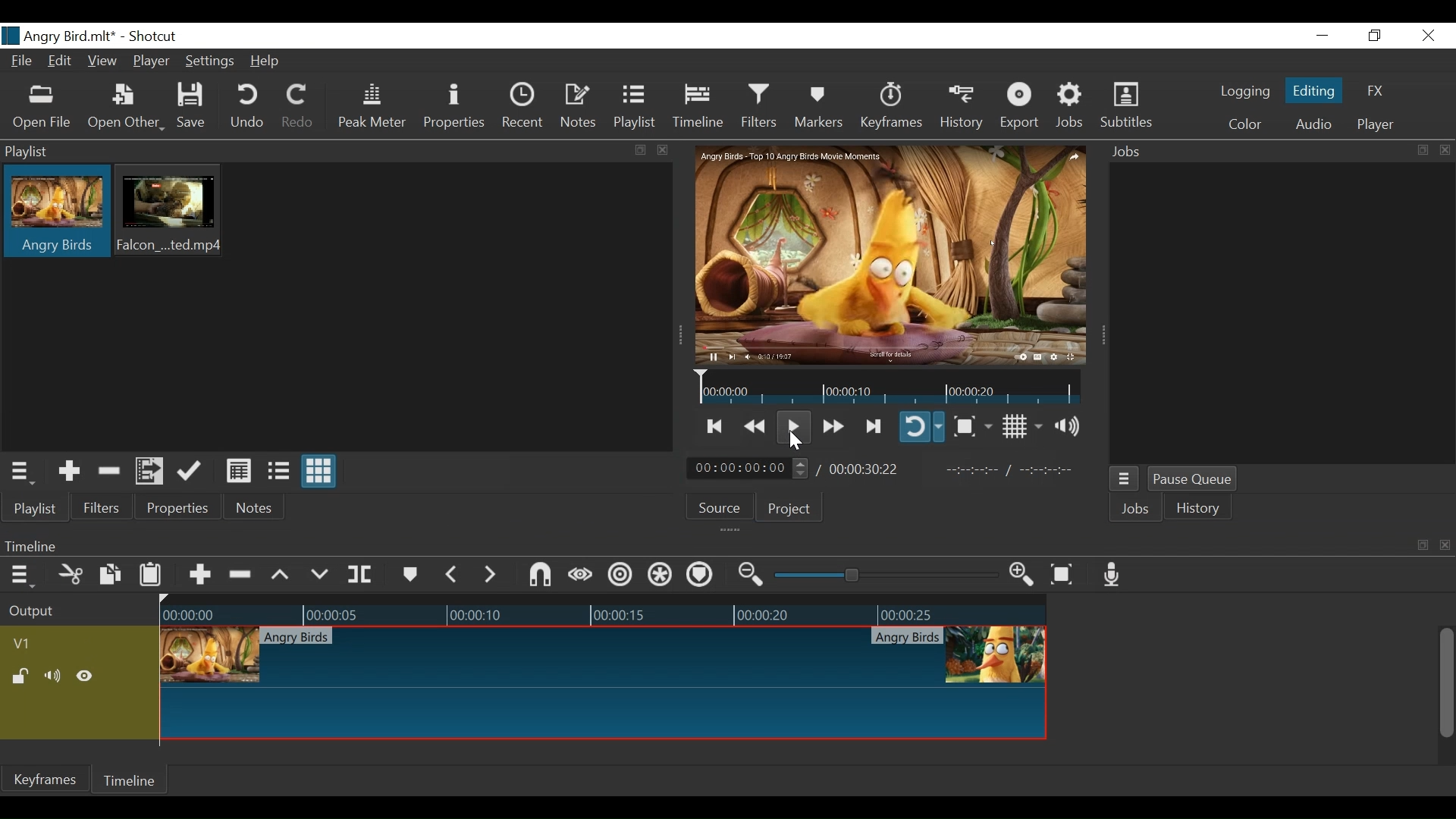  I want to click on Settings, so click(212, 61).